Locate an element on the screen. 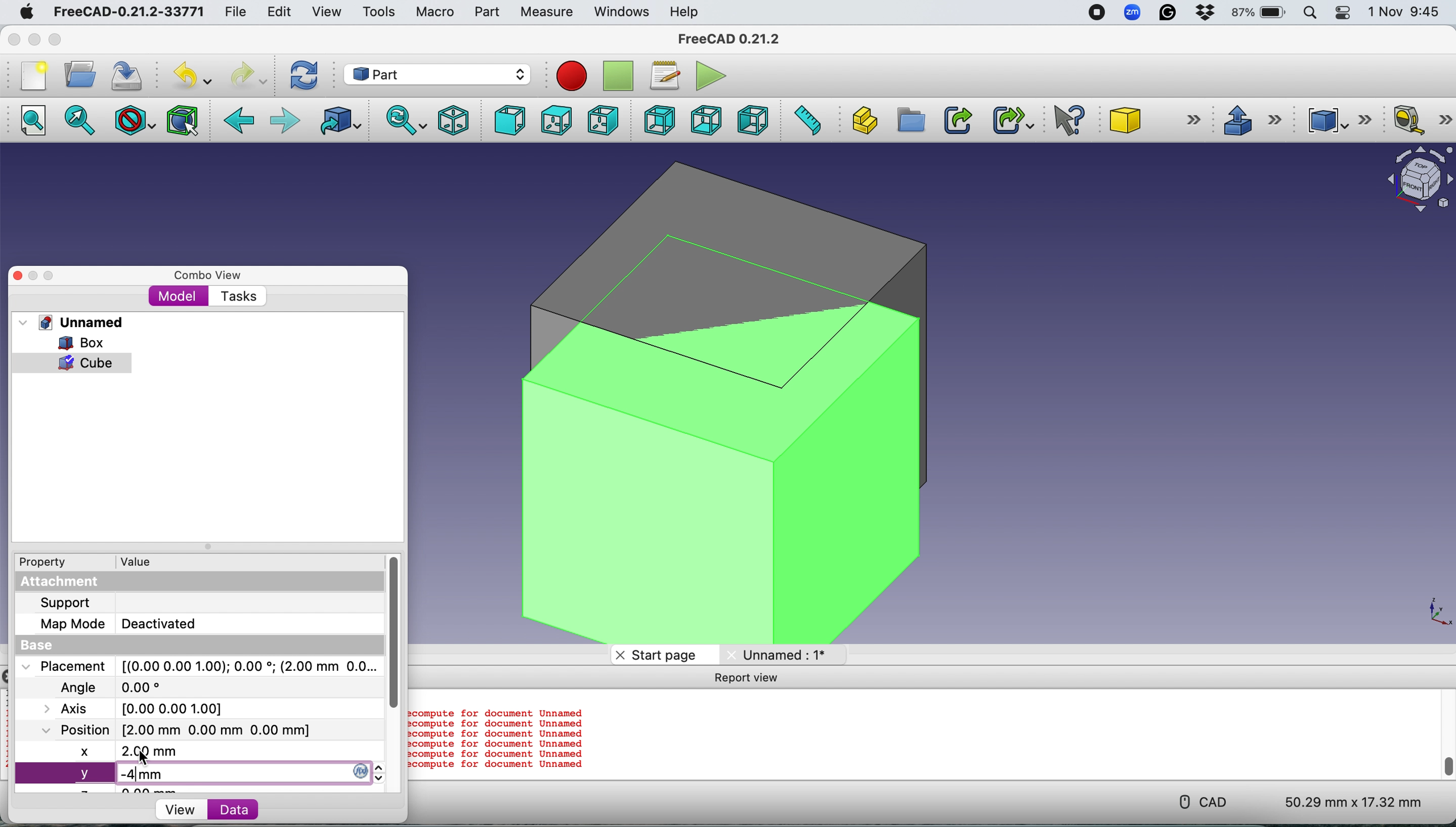  Cube is located at coordinates (1151, 120).